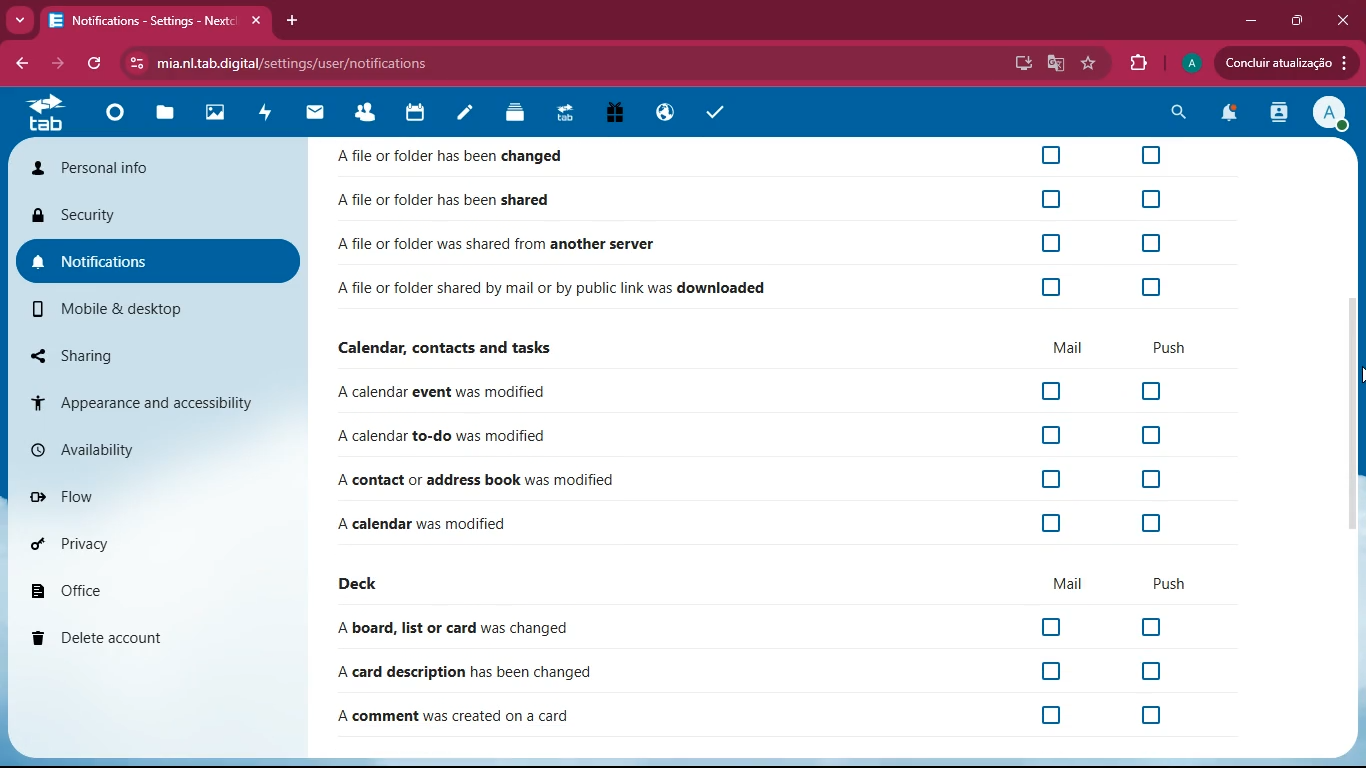 This screenshot has height=768, width=1366. Describe the element at coordinates (465, 674) in the screenshot. I see `A card description has been changed` at that location.